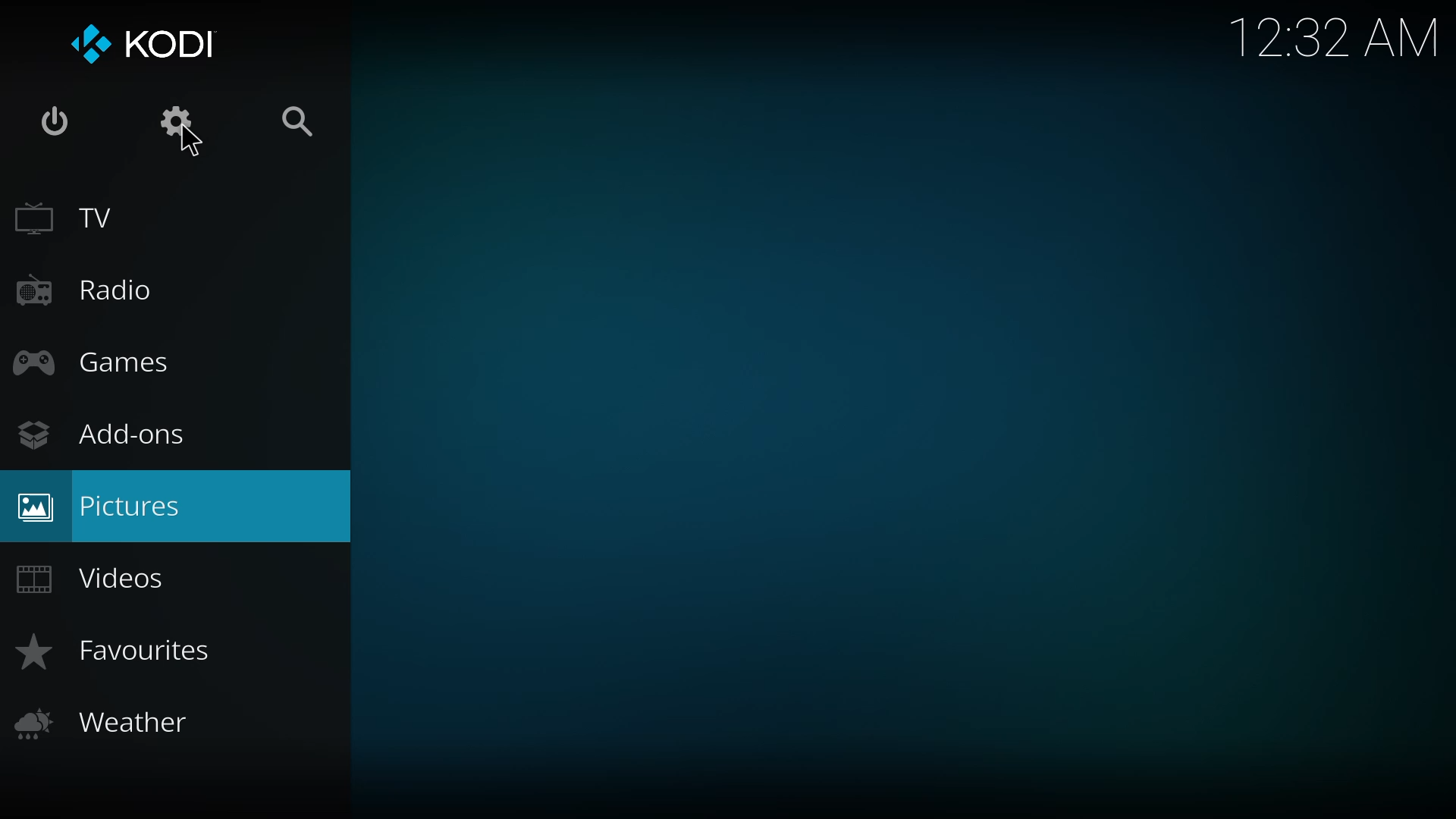 The image size is (1456, 819). Describe the element at coordinates (111, 720) in the screenshot. I see `weather` at that location.